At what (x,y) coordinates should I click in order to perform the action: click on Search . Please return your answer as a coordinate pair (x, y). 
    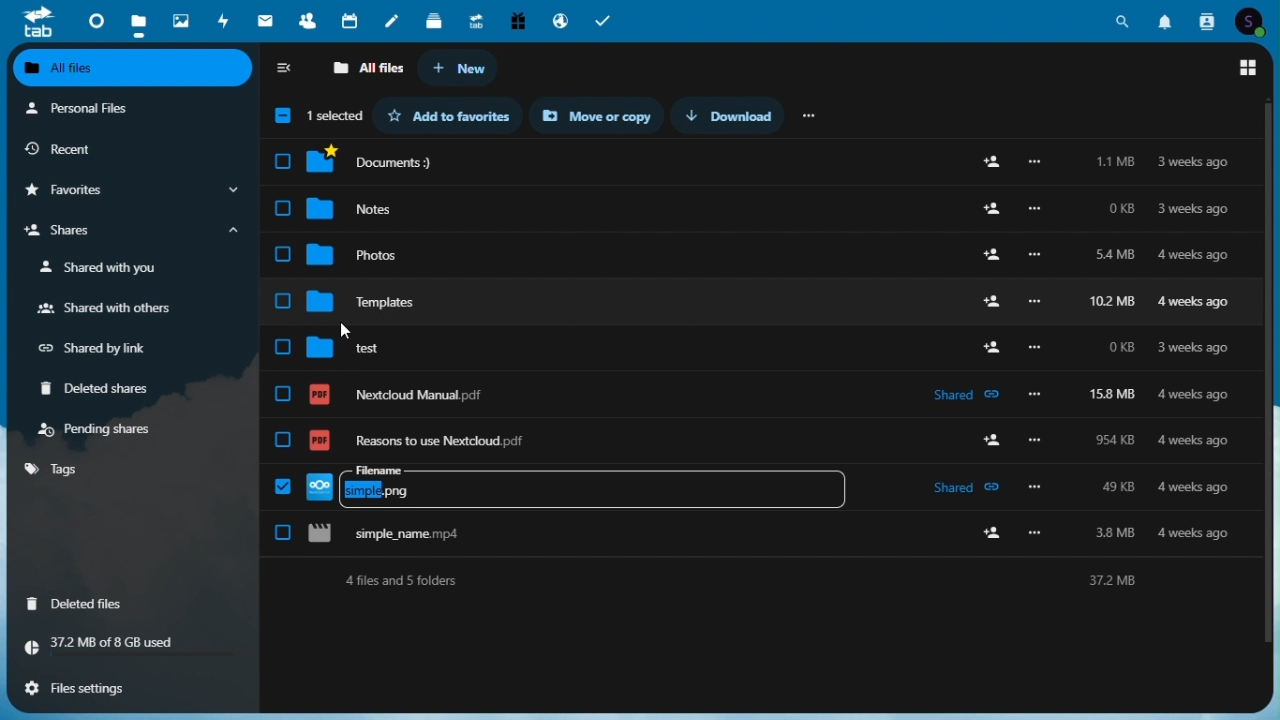
    Looking at the image, I should click on (1123, 18).